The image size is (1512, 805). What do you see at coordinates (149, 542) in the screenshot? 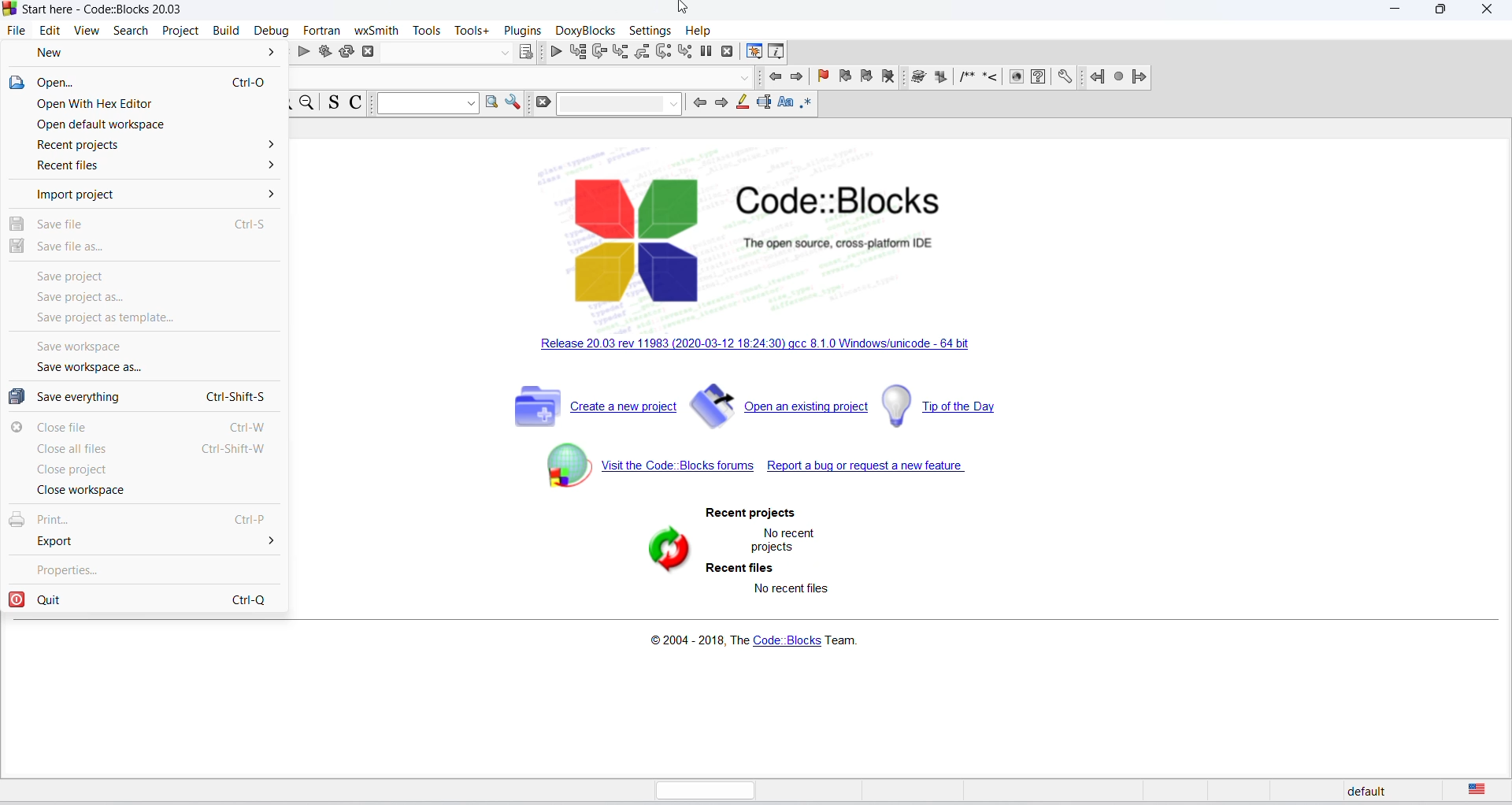
I see `export` at bounding box center [149, 542].